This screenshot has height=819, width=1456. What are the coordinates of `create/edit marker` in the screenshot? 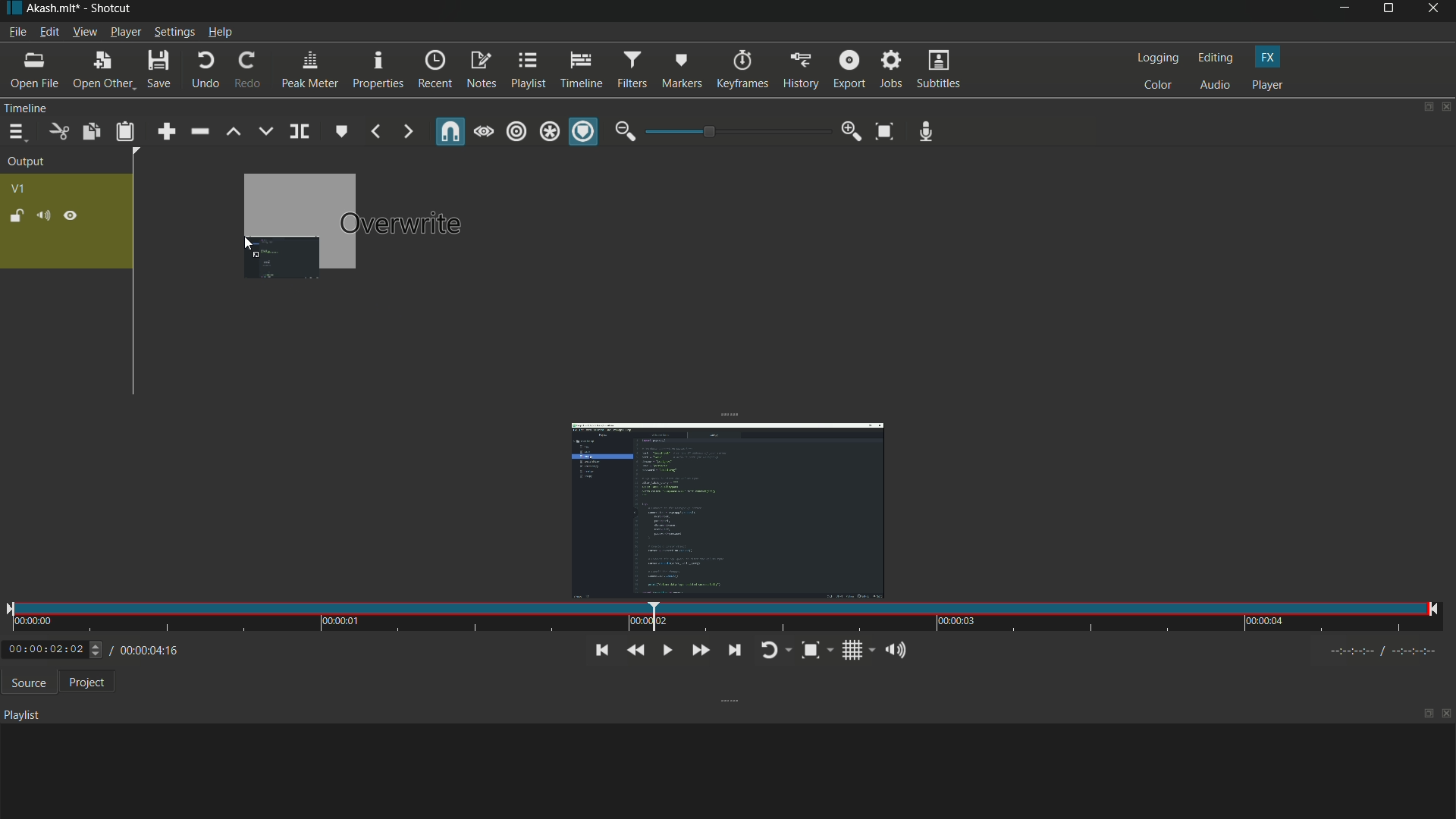 It's located at (340, 130).